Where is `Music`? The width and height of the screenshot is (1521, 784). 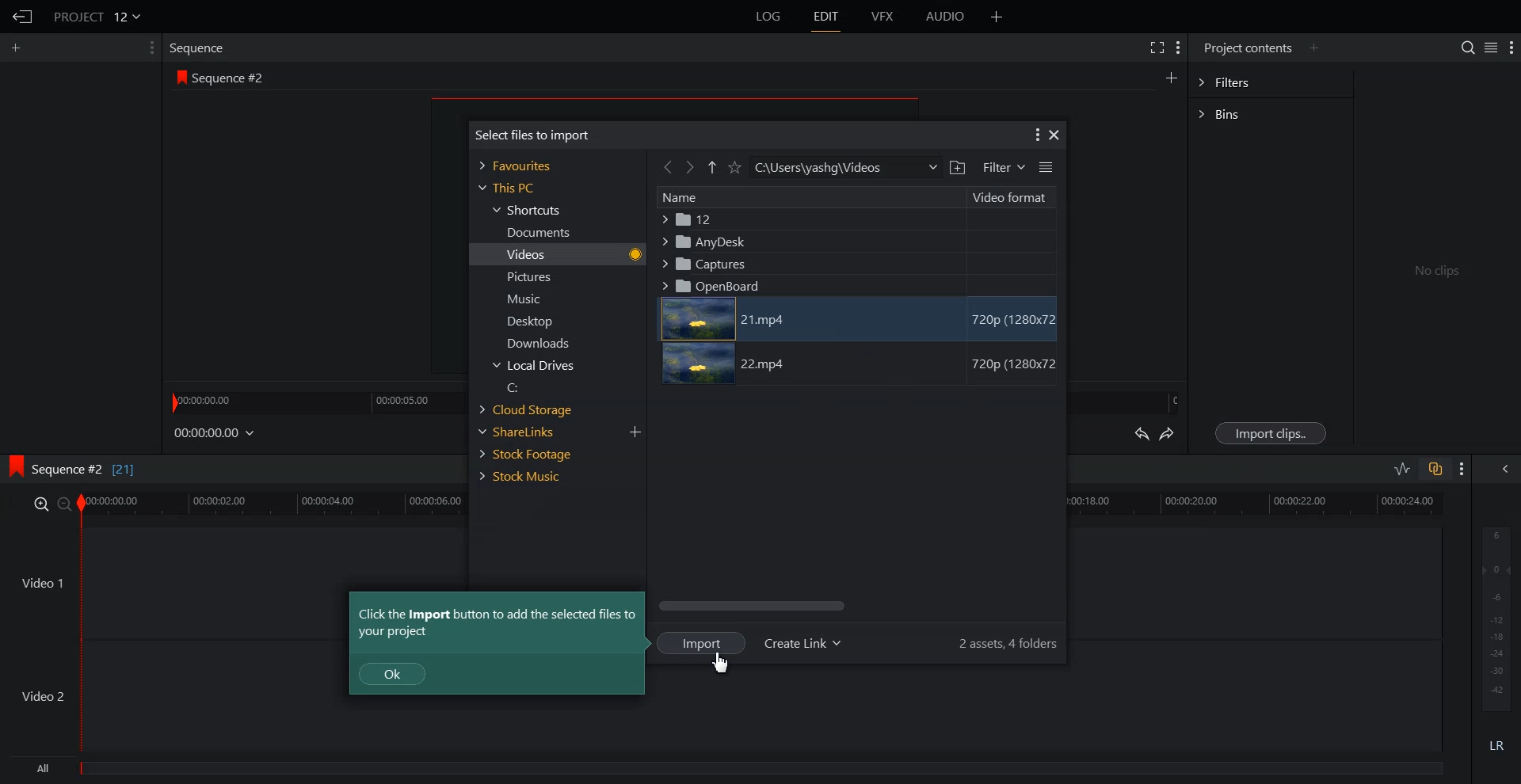 Music is located at coordinates (536, 299).